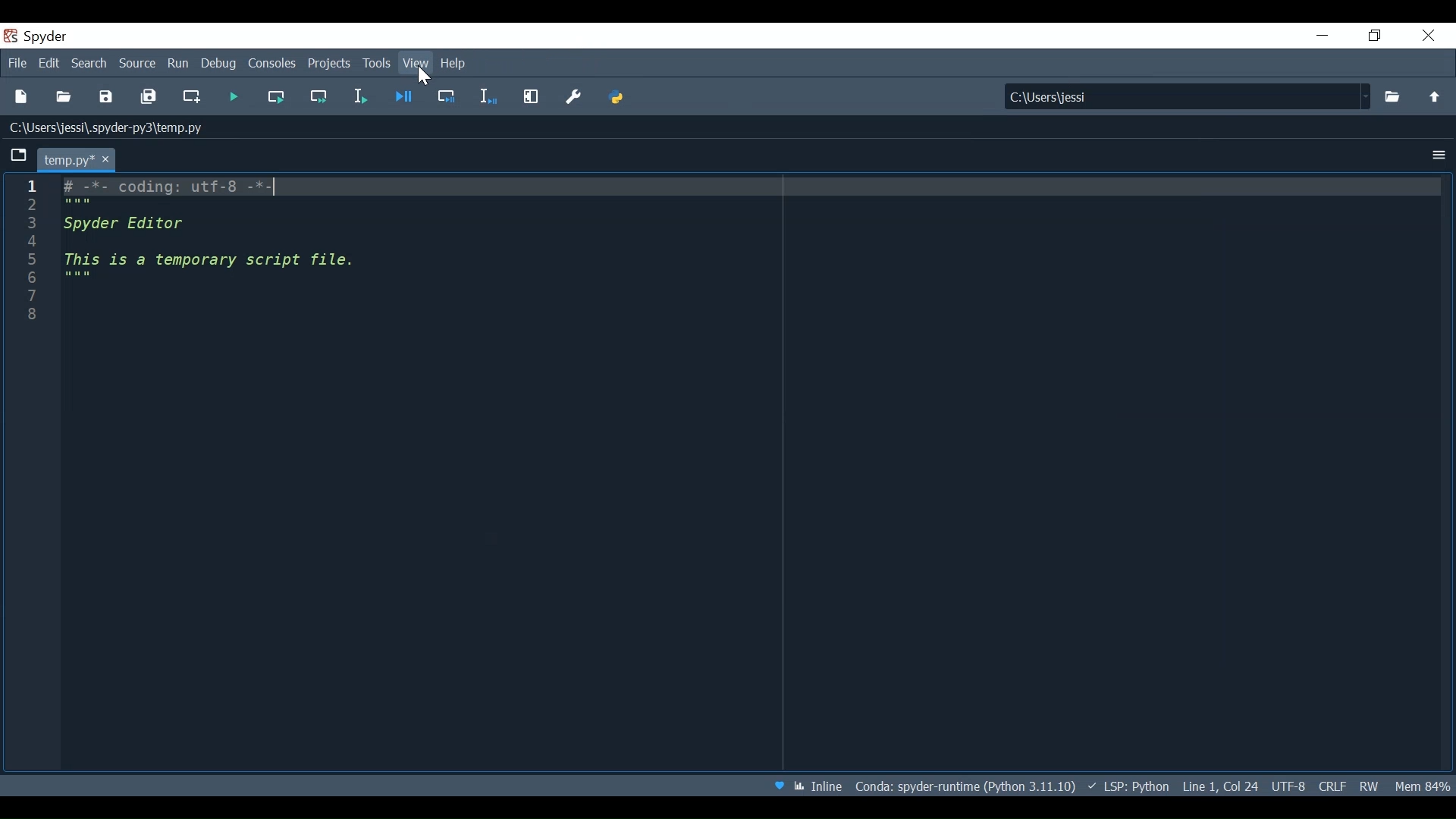 The height and width of the screenshot is (819, 1456). I want to click on Projects, so click(331, 64).